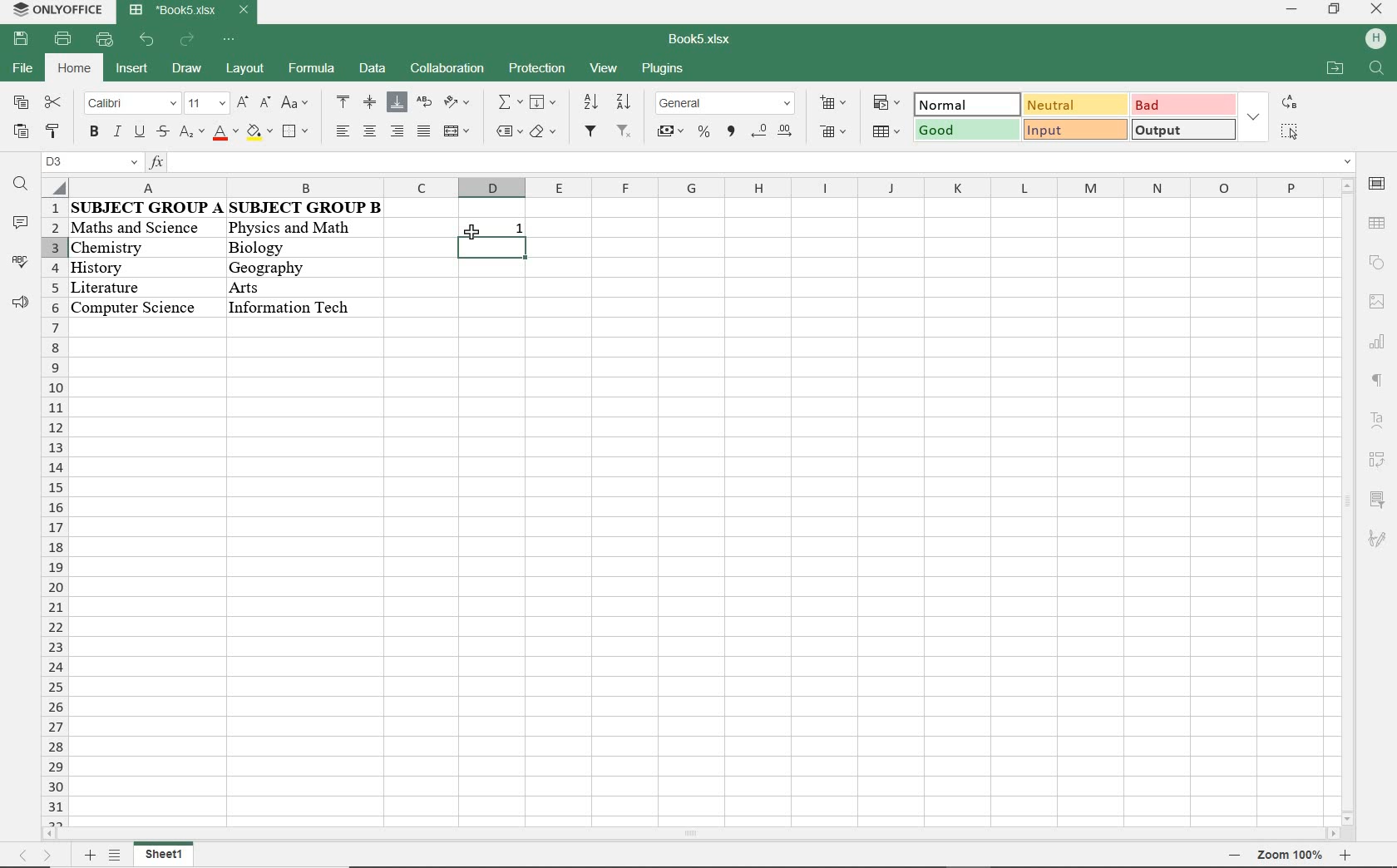  I want to click on named ranges, so click(508, 131).